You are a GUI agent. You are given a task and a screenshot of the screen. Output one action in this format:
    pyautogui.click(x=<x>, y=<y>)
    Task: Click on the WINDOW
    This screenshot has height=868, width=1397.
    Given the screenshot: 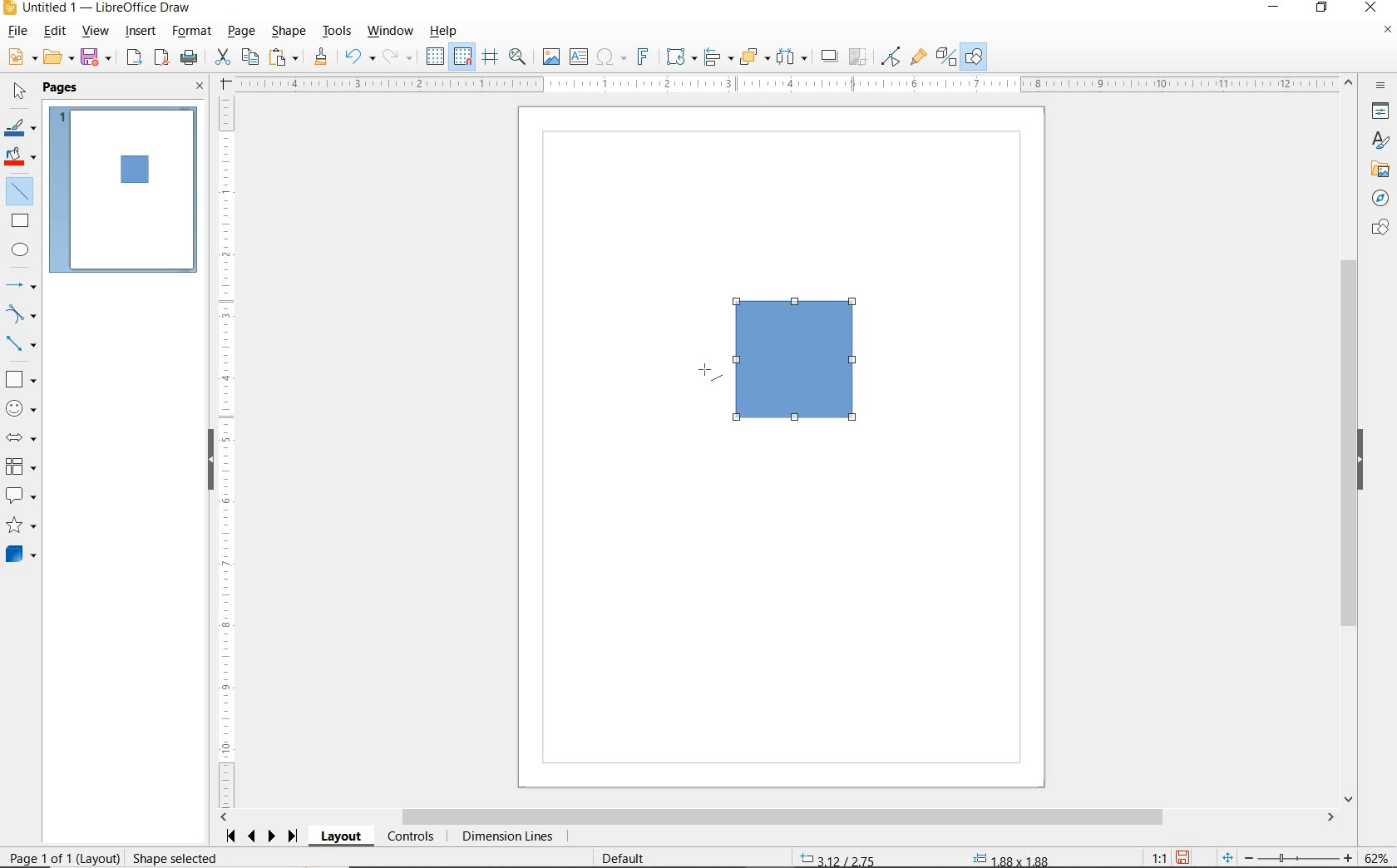 What is the action you would take?
    pyautogui.click(x=391, y=32)
    